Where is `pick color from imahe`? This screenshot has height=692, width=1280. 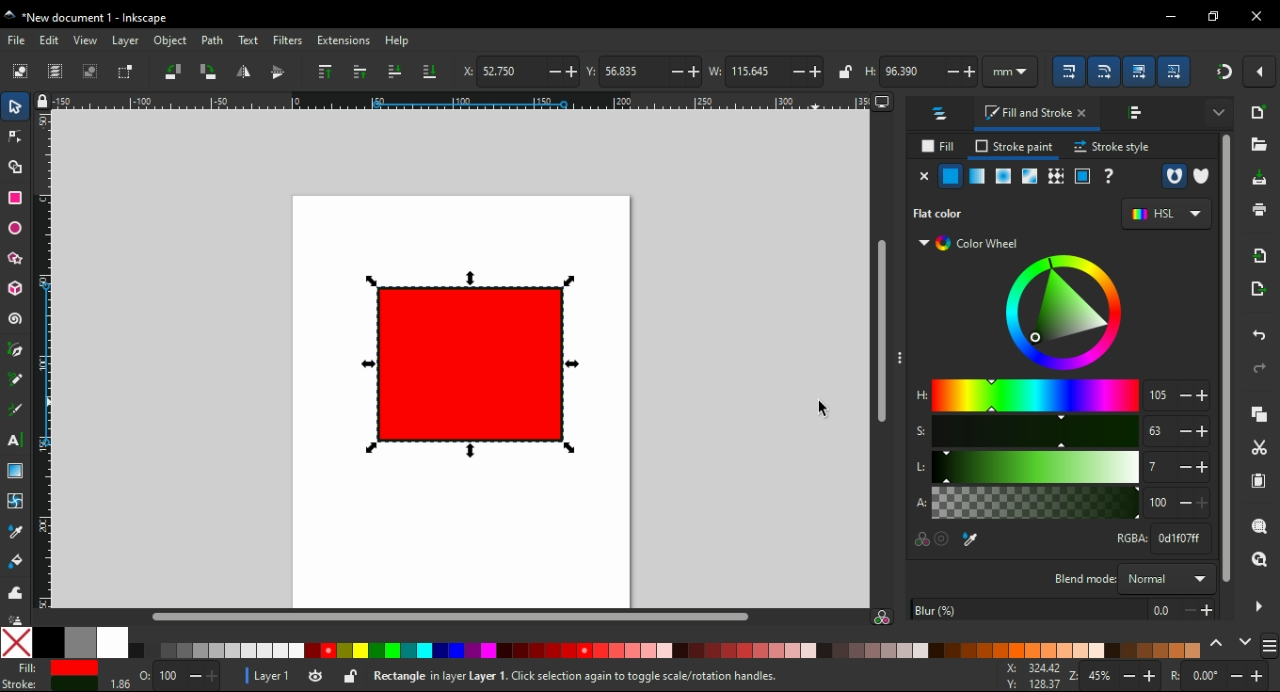
pick color from imahe is located at coordinates (974, 540).